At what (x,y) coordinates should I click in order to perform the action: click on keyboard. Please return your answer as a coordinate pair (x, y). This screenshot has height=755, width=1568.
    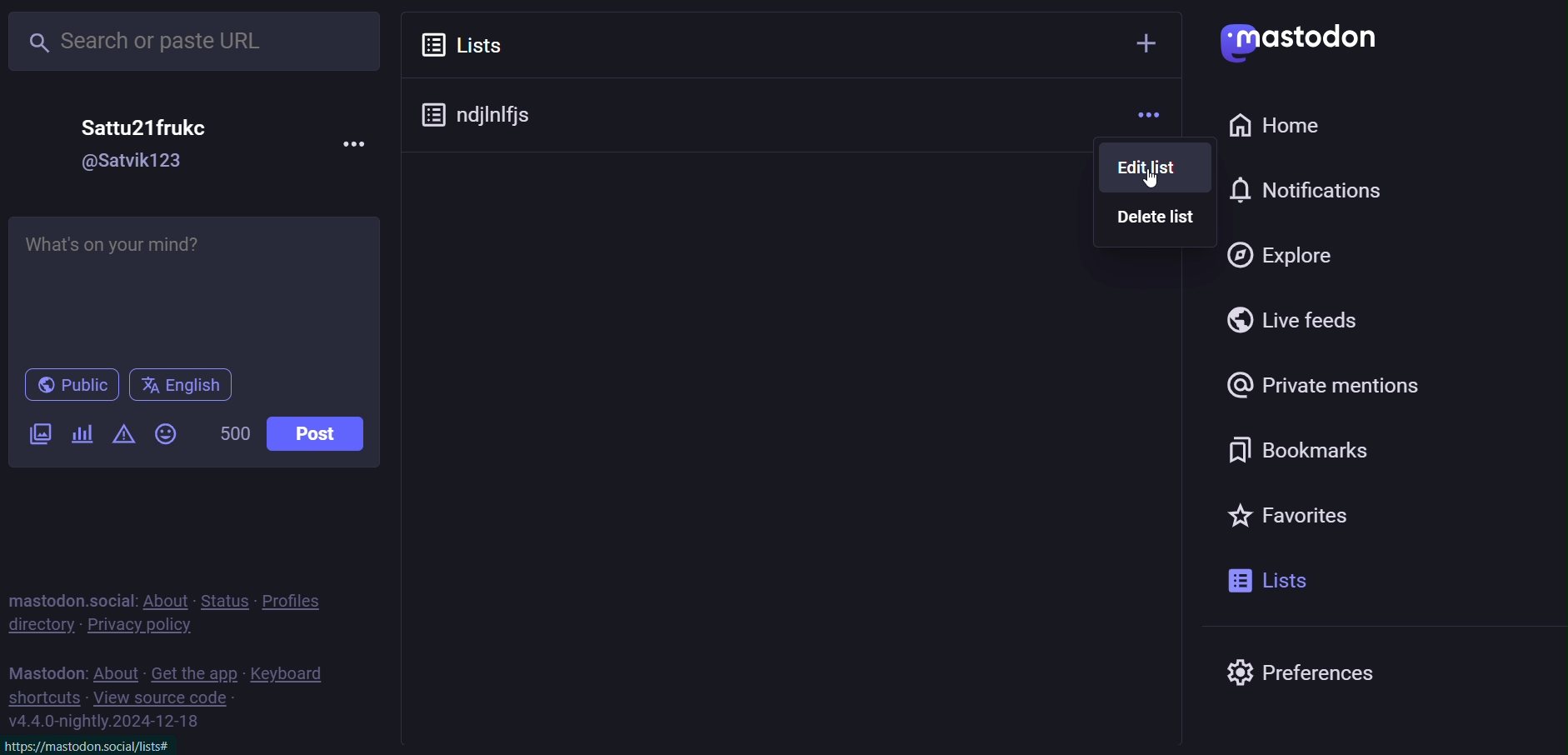
    Looking at the image, I should click on (294, 673).